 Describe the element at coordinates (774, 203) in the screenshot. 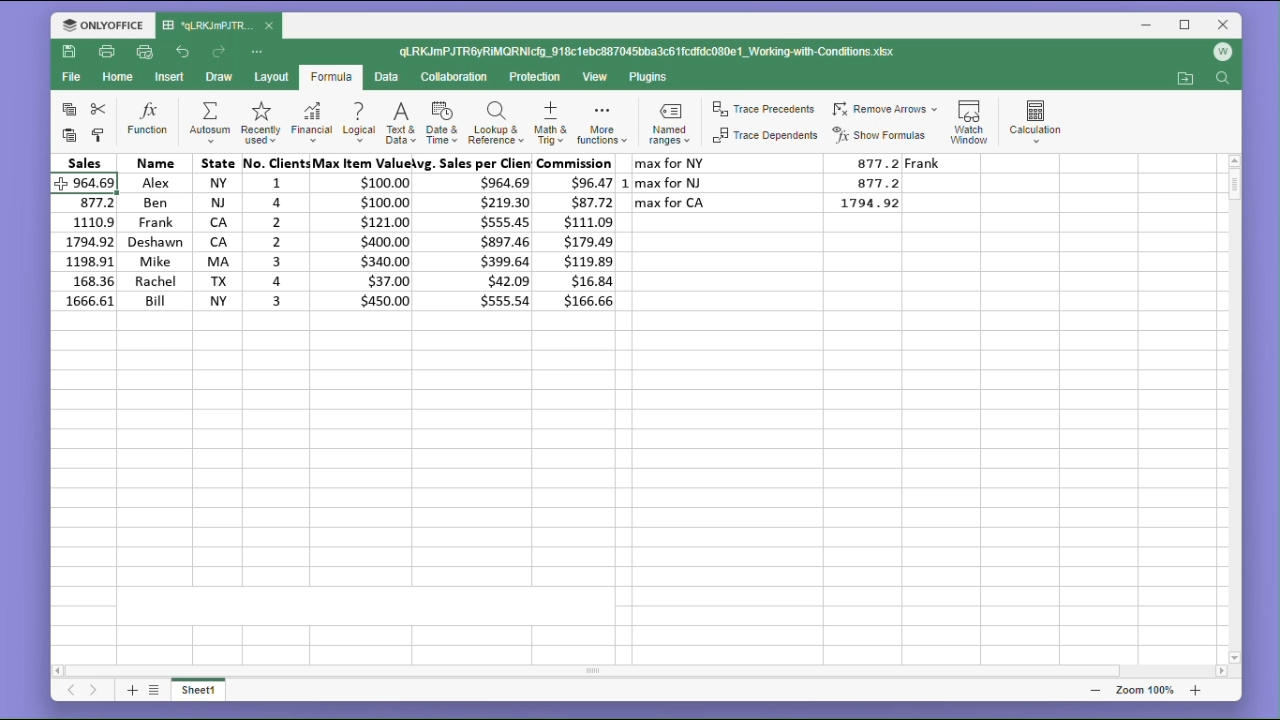

I see `max for CA 1794.92` at that location.